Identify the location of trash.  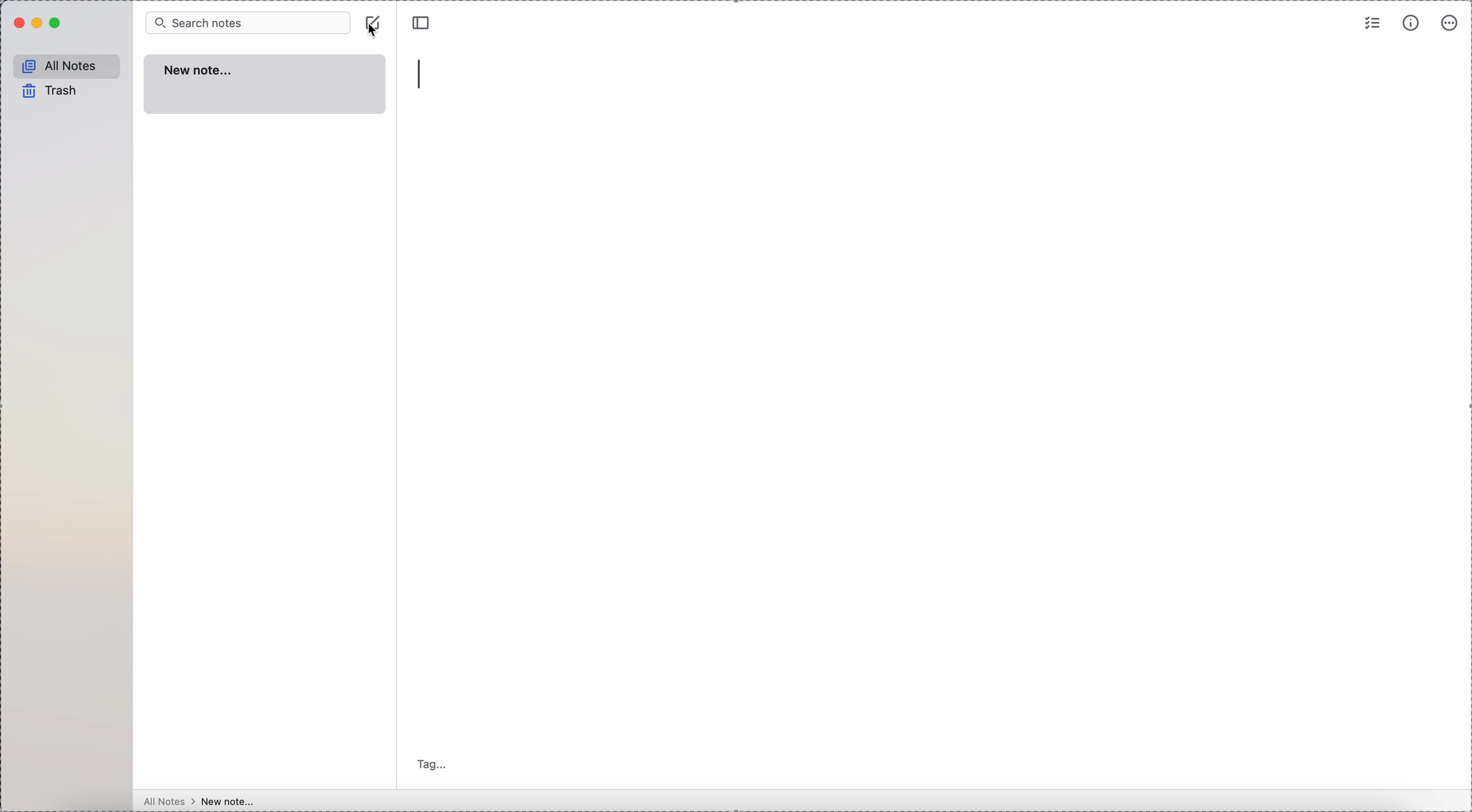
(47, 90).